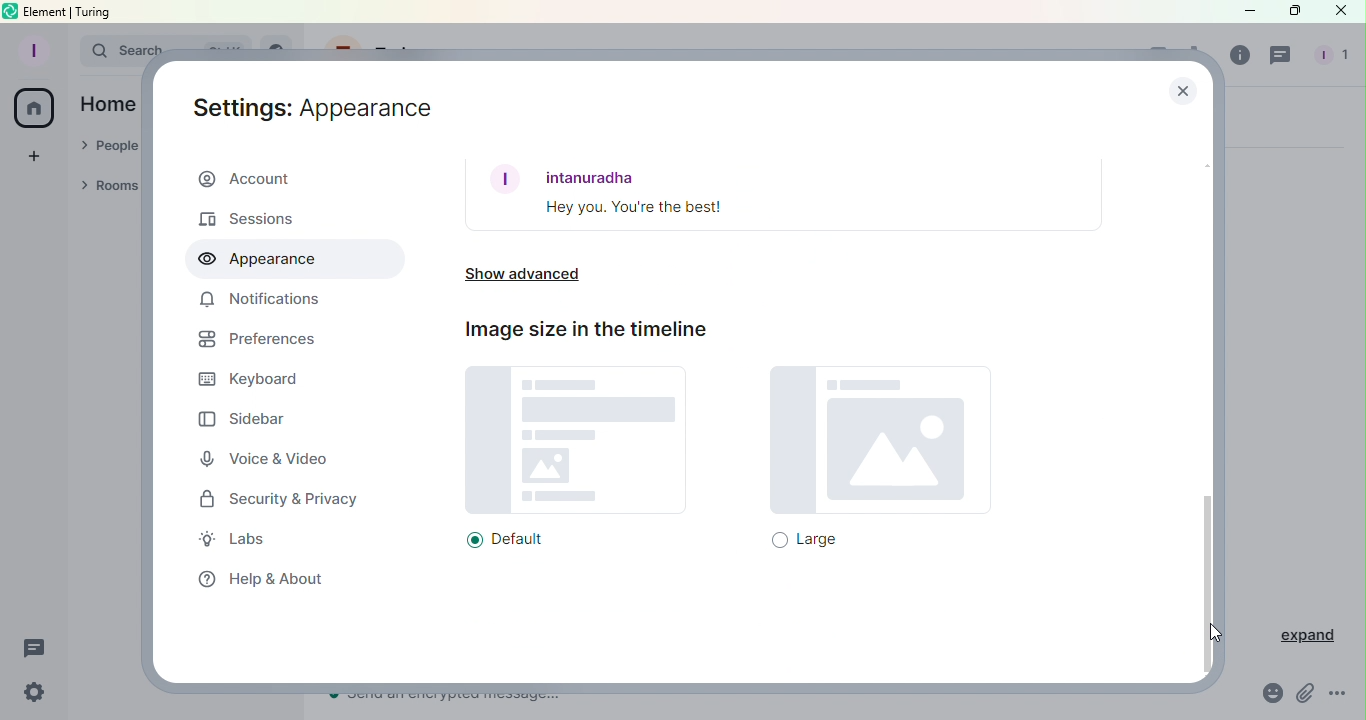  Describe the element at coordinates (33, 154) in the screenshot. I see `Create a space` at that location.